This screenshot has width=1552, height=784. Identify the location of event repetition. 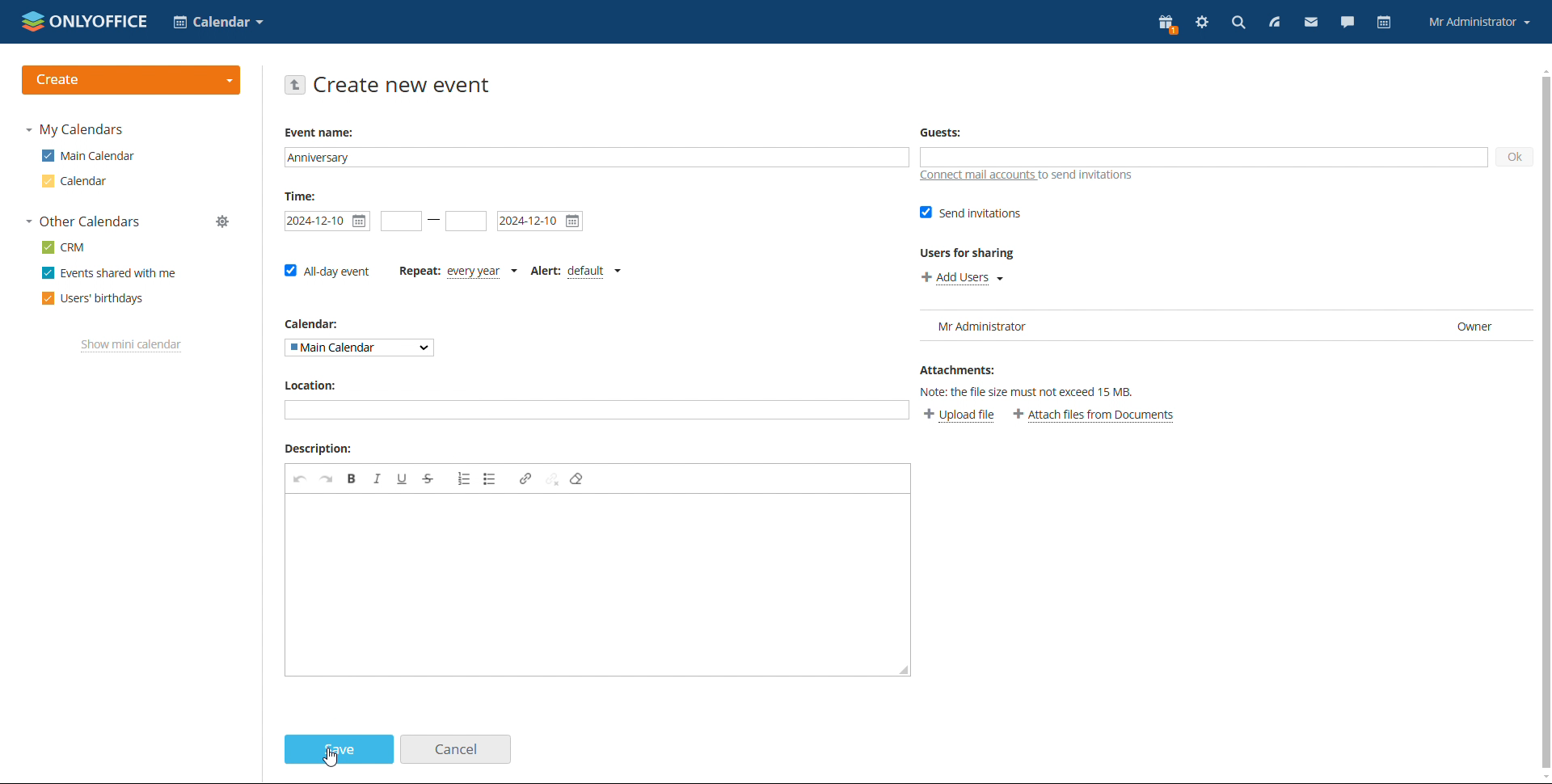
(445, 271).